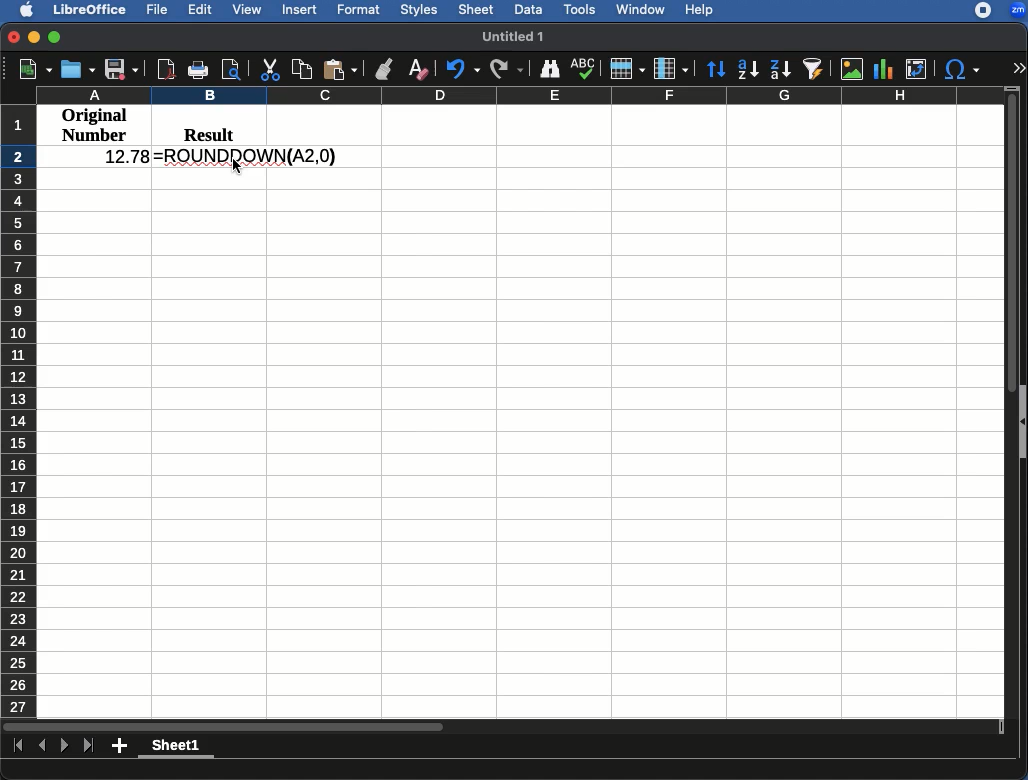 The width and height of the screenshot is (1028, 780). I want to click on Edit, so click(201, 11).